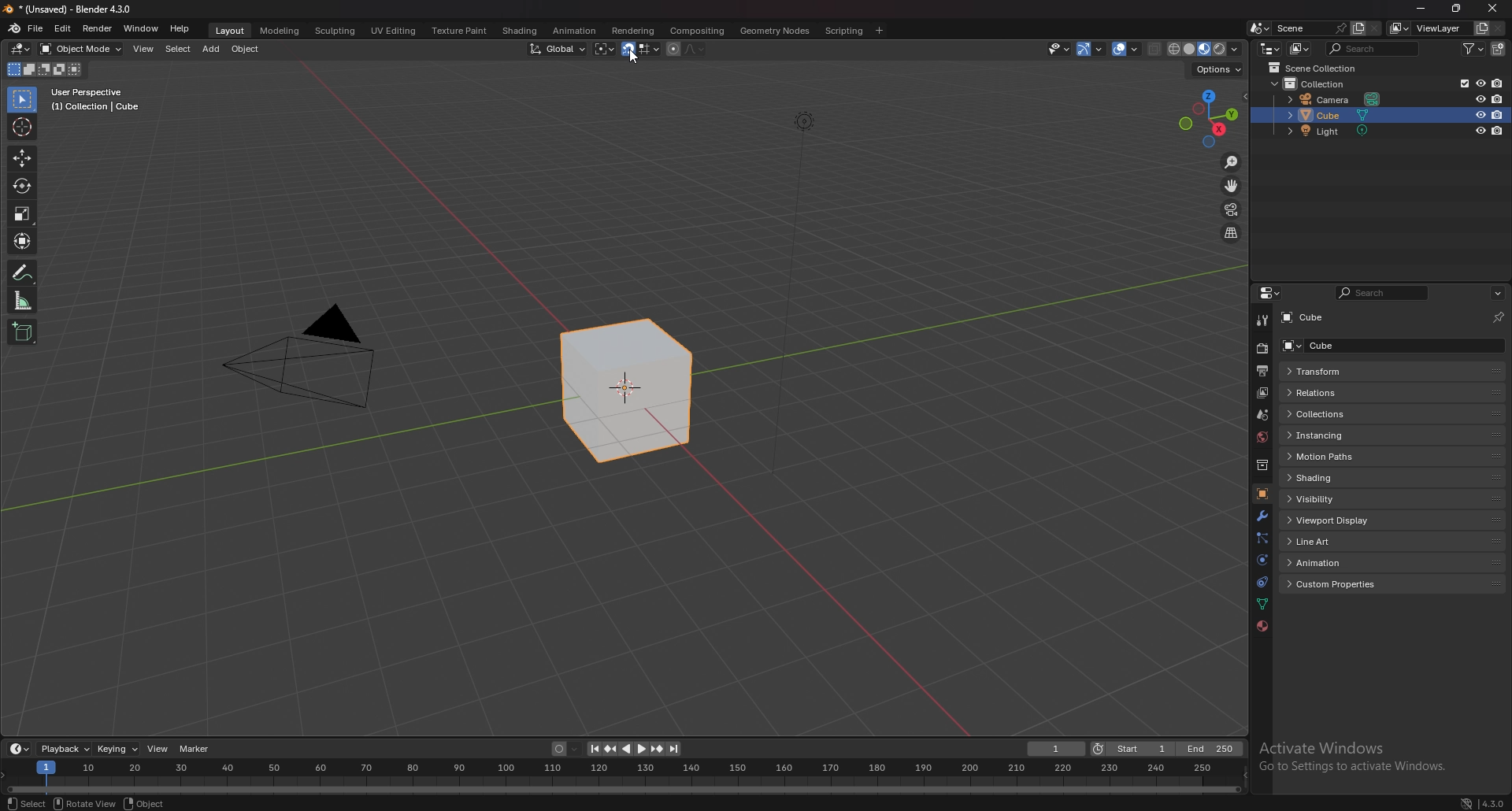 The width and height of the screenshot is (1512, 811). I want to click on collection, so click(1262, 465).